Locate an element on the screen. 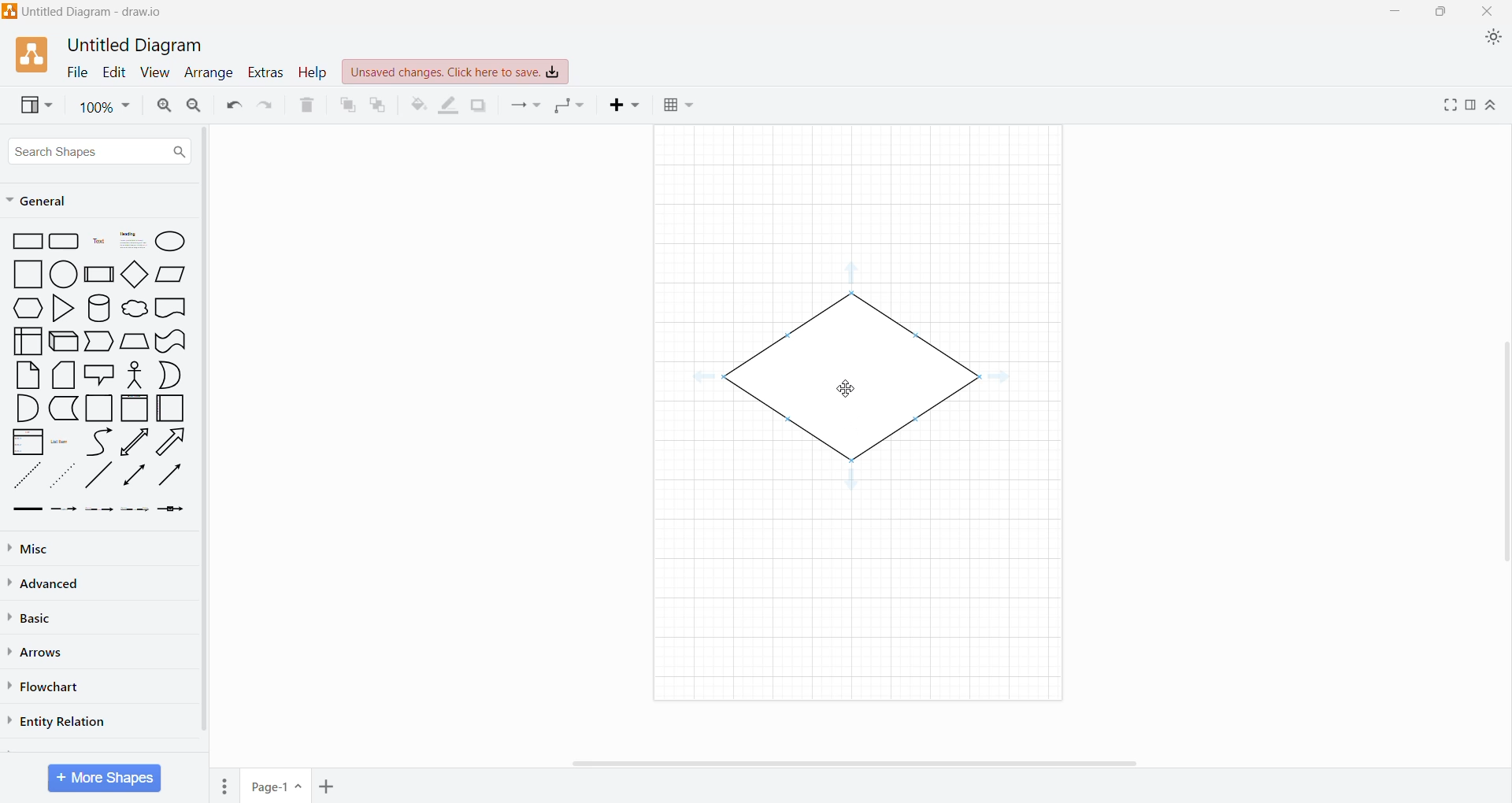 This screenshot has width=1512, height=803. Zoom is located at coordinates (105, 108).